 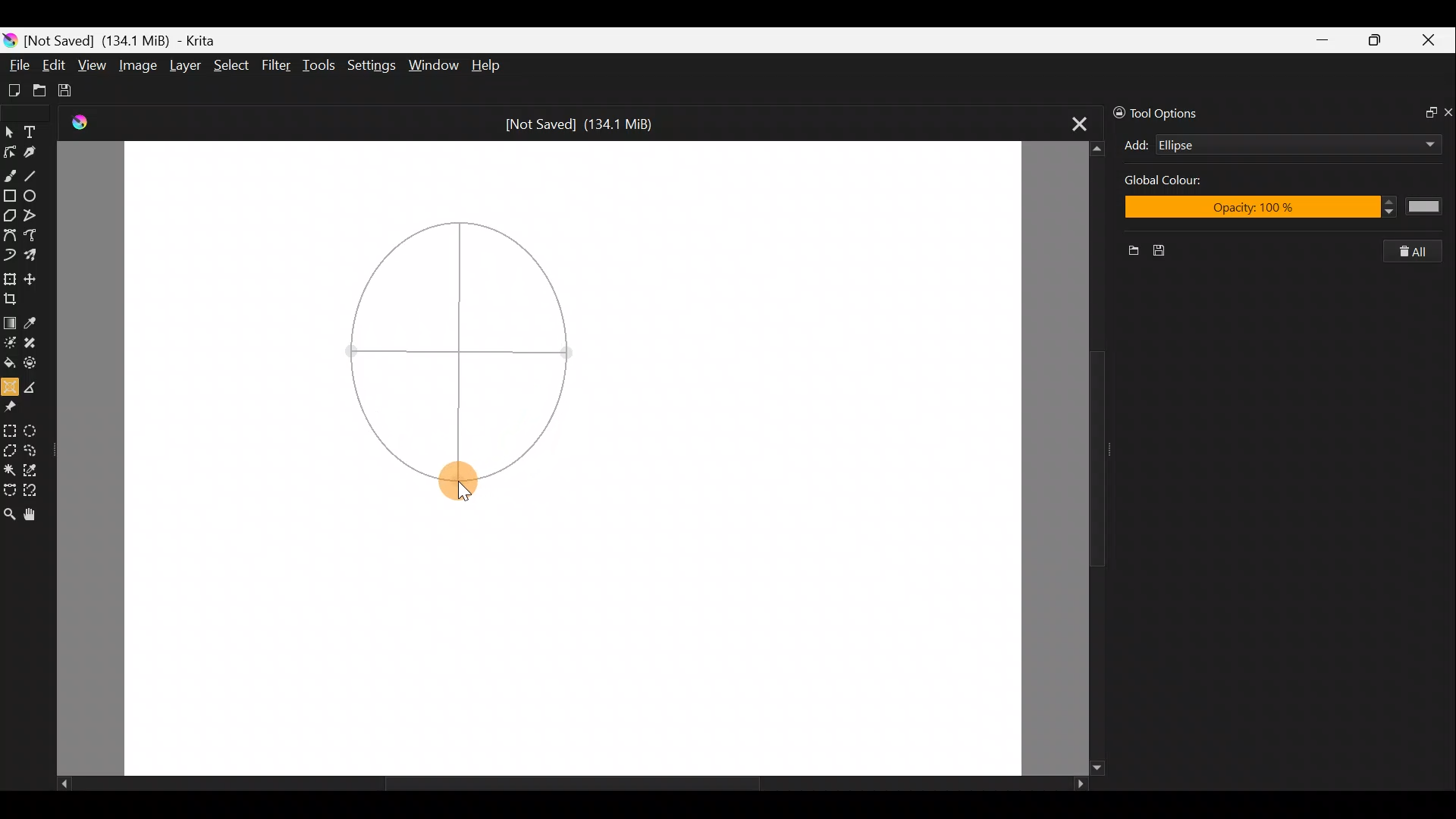 What do you see at coordinates (560, 784) in the screenshot?
I see `Scroll bar` at bounding box center [560, 784].